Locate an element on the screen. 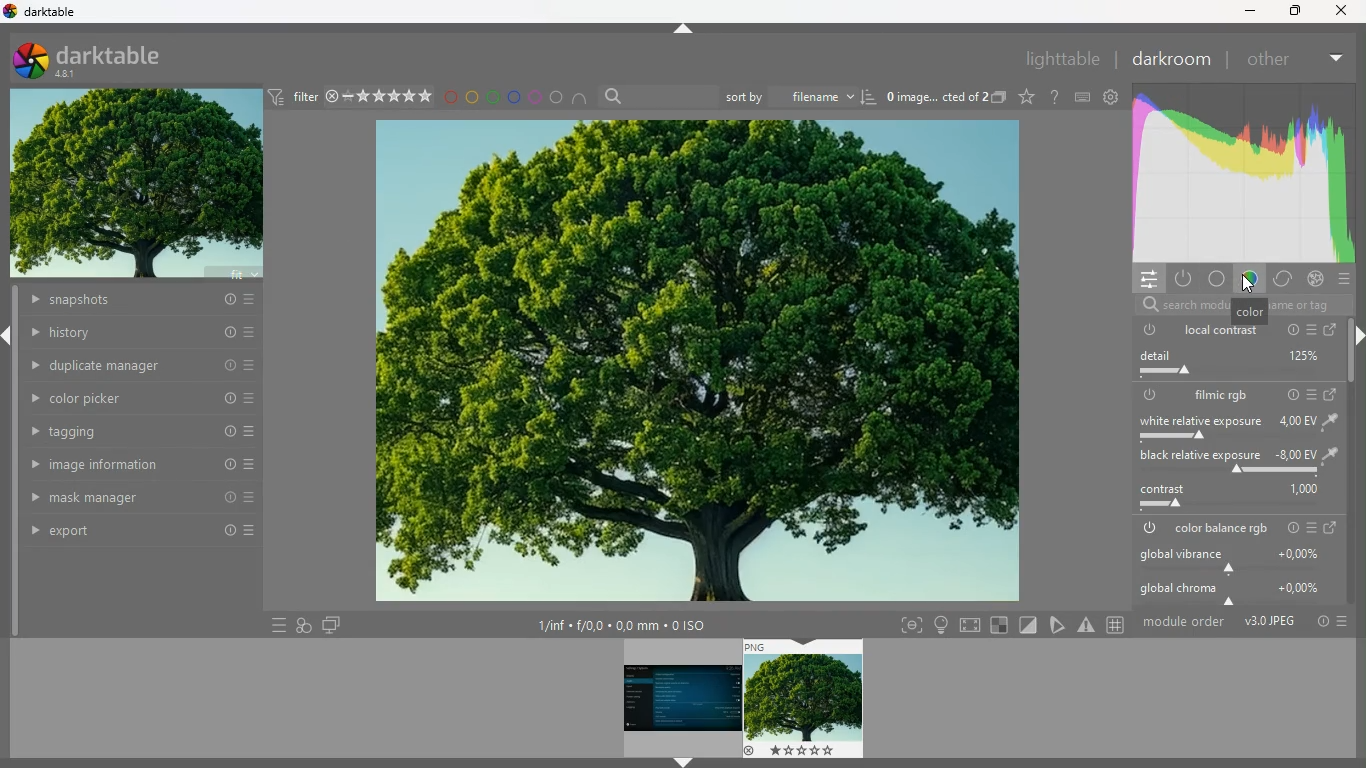  export is located at coordinates (143, 531).